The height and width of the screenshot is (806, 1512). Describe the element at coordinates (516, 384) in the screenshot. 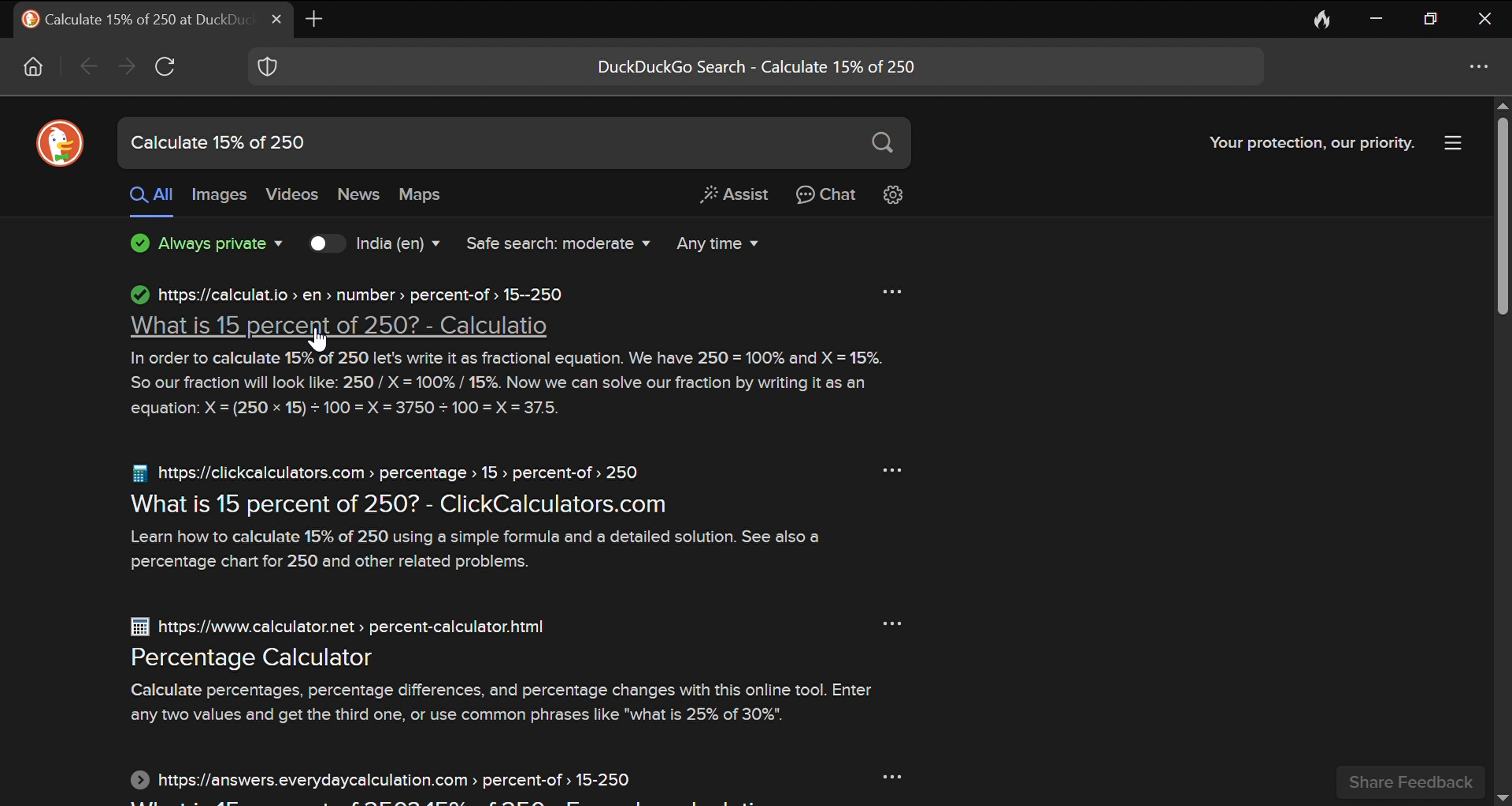

I see `In order to calculate 15% of 250 let's write it as fractional equation. We have 250 = 100% and X = 15%.
So our fraction will look like: 250 / X = 100% / 15%. Now we can solve our fraction by writing it as an
equation: X =(250 x 15) + 100 = X =3750 +100 = X = 37.5.` at that location.